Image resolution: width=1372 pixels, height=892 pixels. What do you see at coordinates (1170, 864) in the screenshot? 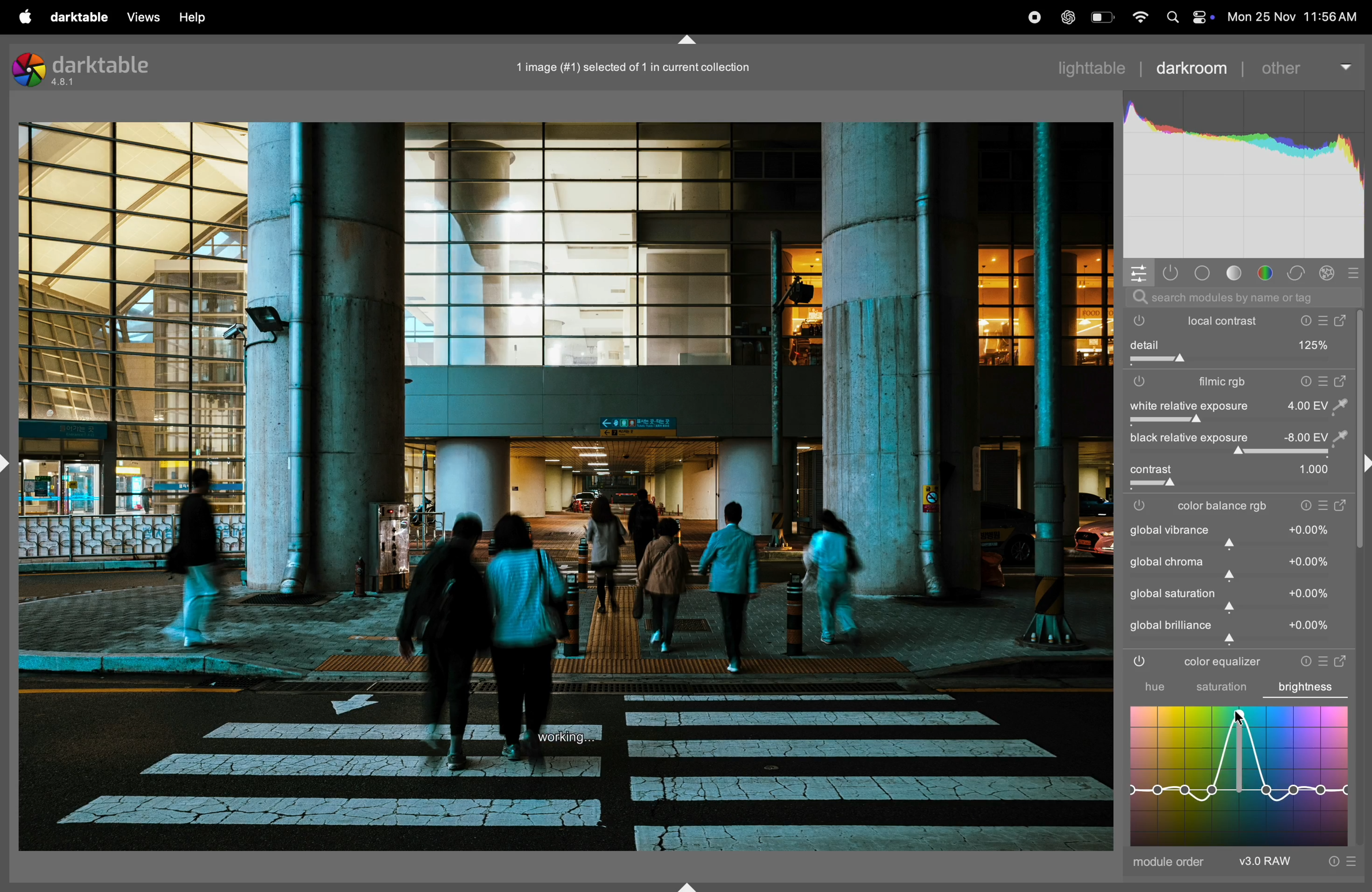
I see `module order` at bounding box center [1170, 864].